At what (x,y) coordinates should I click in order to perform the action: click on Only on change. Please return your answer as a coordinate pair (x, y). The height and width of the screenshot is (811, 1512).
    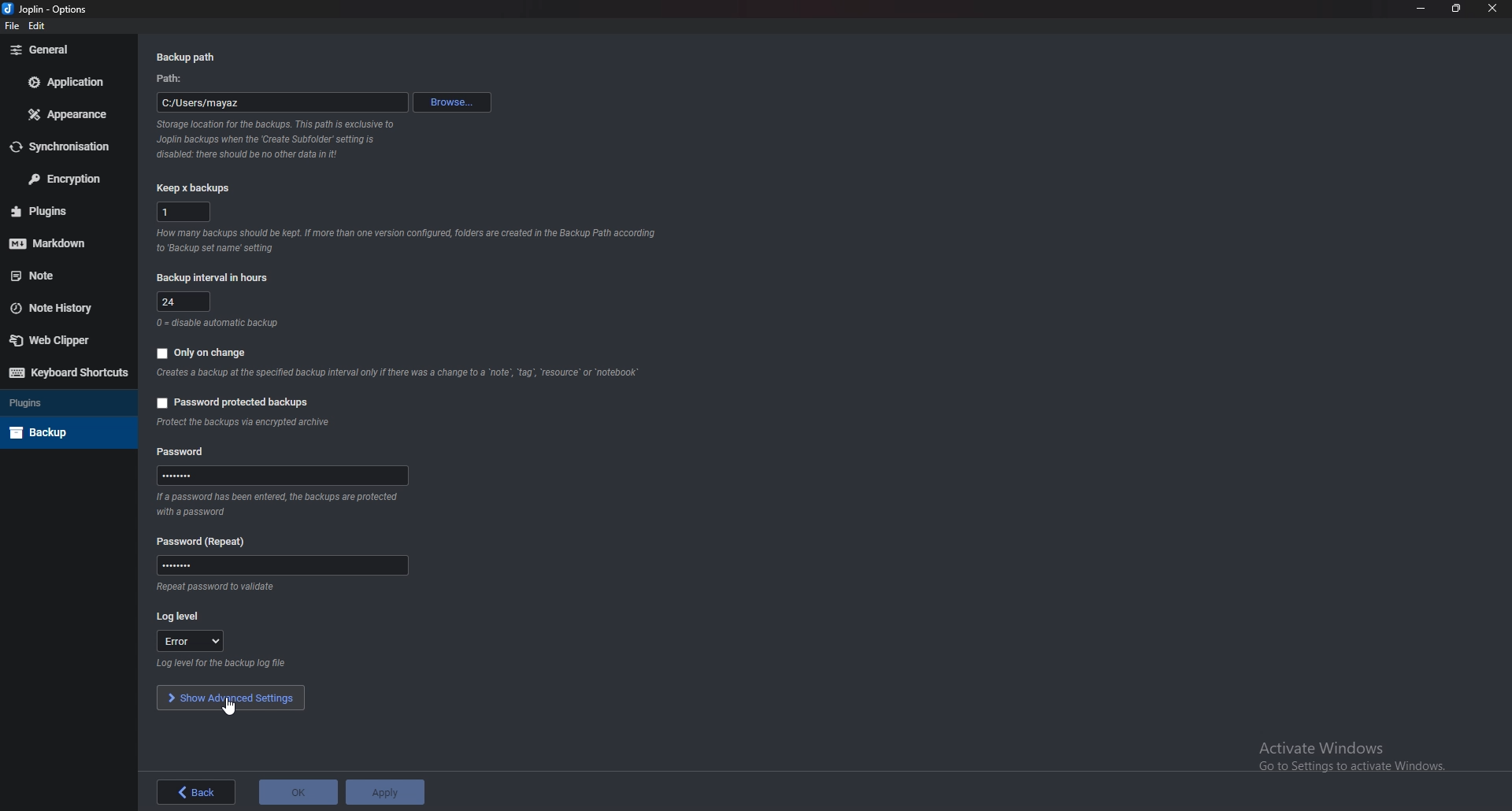
    Looking at the image, I should click on (206, 353).